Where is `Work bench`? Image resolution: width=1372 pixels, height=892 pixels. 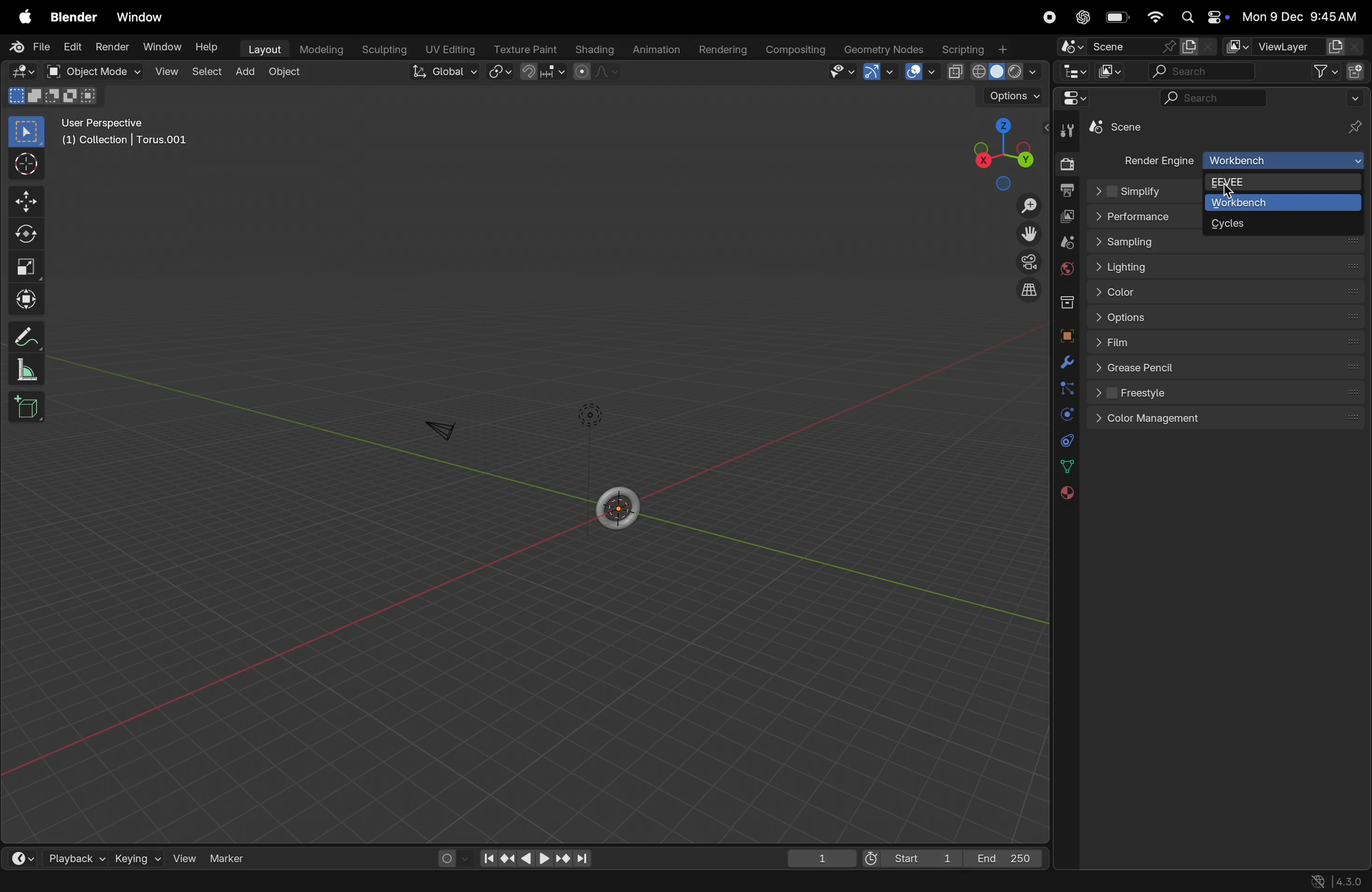 Work bench is located at coordinates (1284, 202).